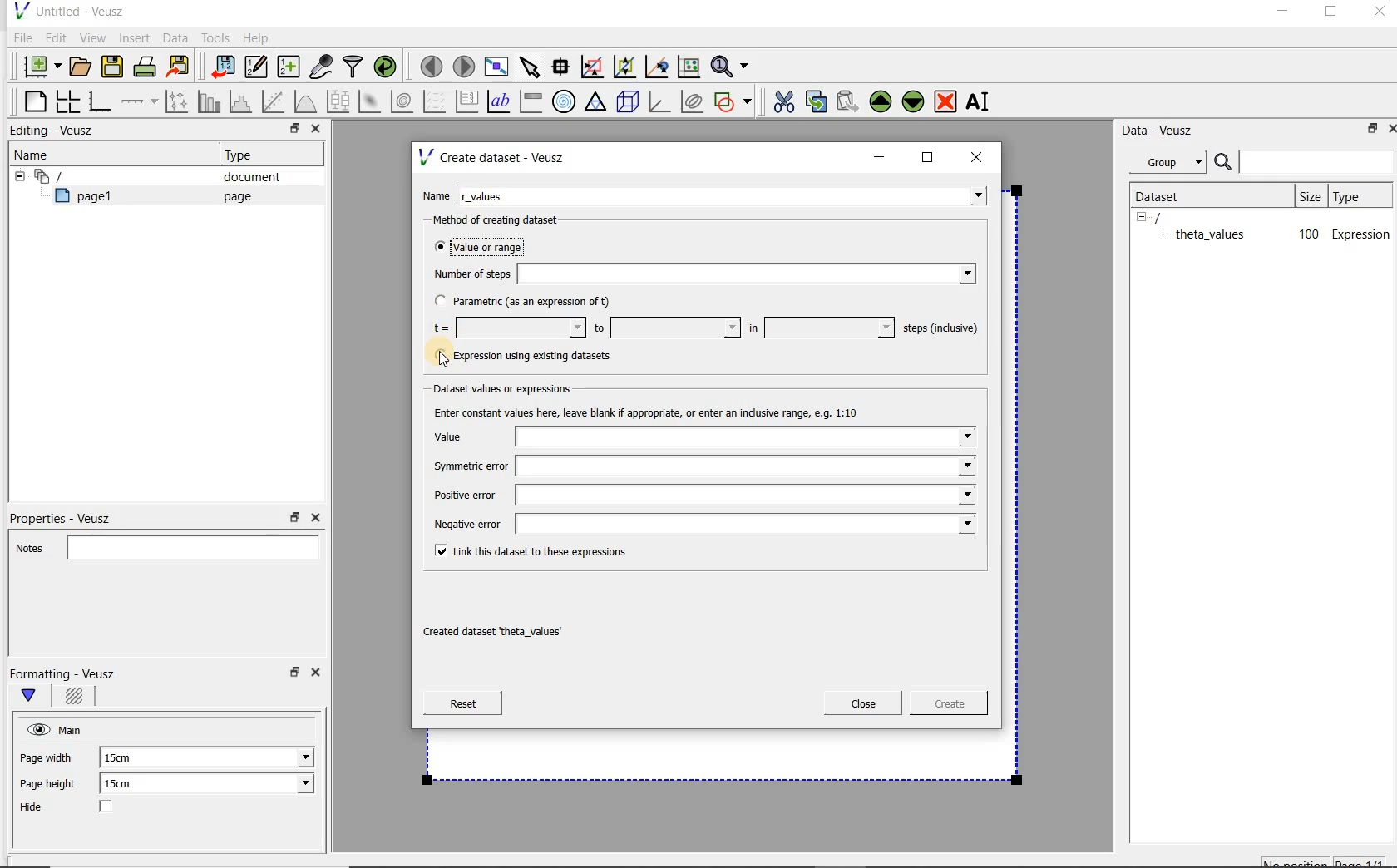 The height and width of the screenshot is (868, 1397). I want to click on Close, so click(1389, 127).